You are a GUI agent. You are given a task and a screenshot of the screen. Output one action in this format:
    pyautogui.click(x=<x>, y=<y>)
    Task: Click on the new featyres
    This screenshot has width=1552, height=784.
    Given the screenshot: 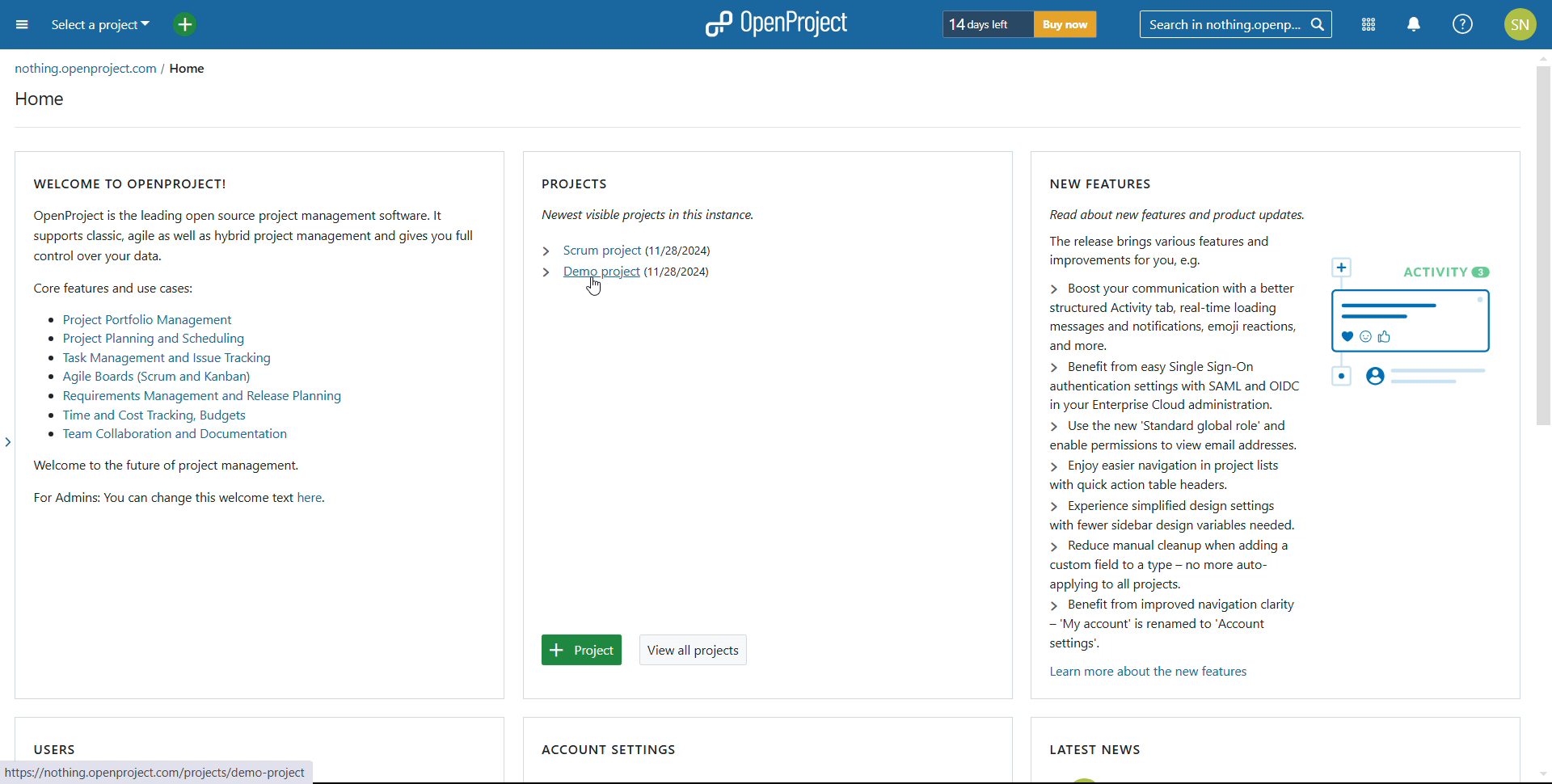 What is the action you would take?
    pyautogui.click(x=1277, y=402)
    